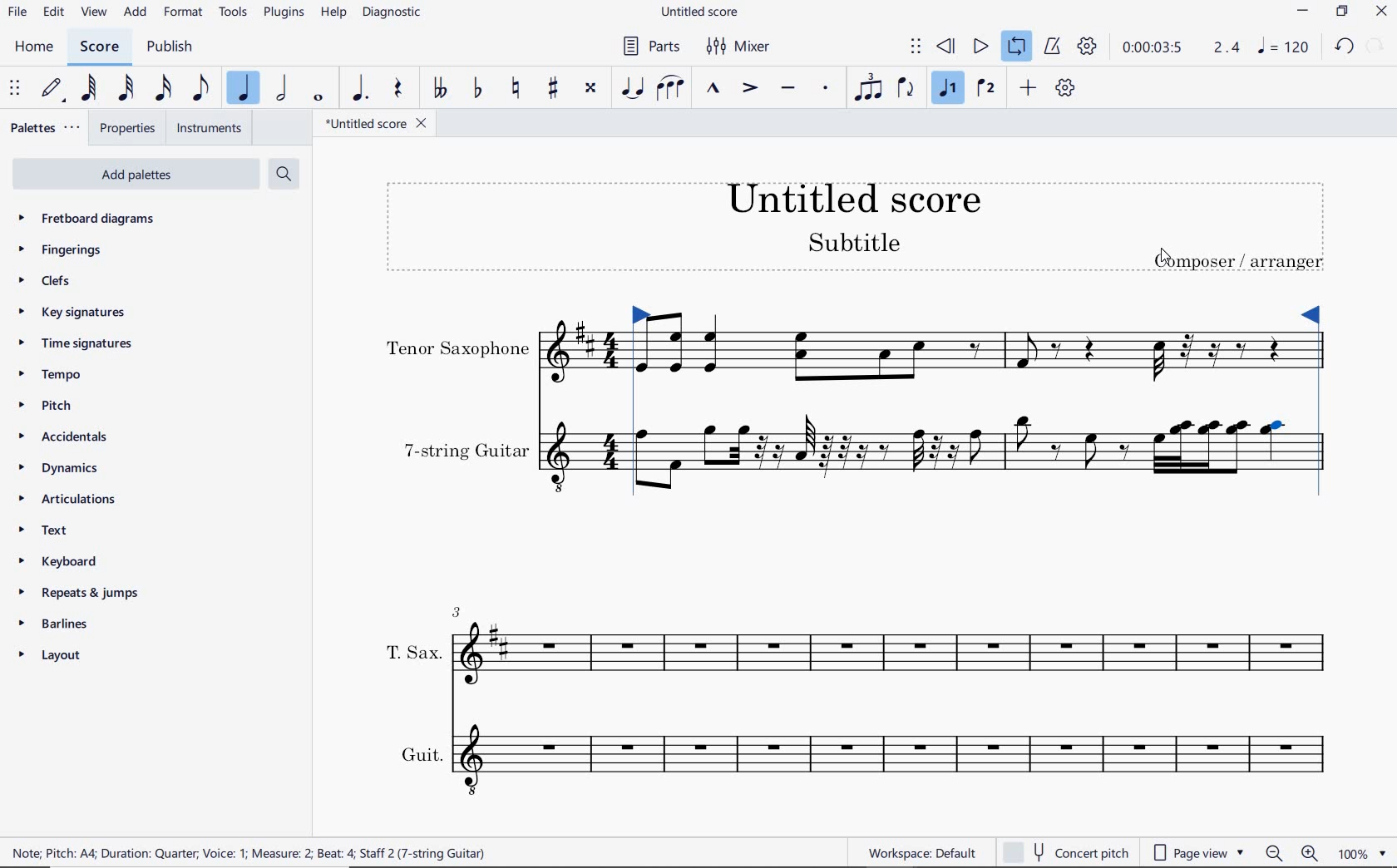 This screenshot has width=1397, height=868. What do you see at coordinates (949, 45) in the screenshot?
I see `REWIND` at bounding box center [949, 45].